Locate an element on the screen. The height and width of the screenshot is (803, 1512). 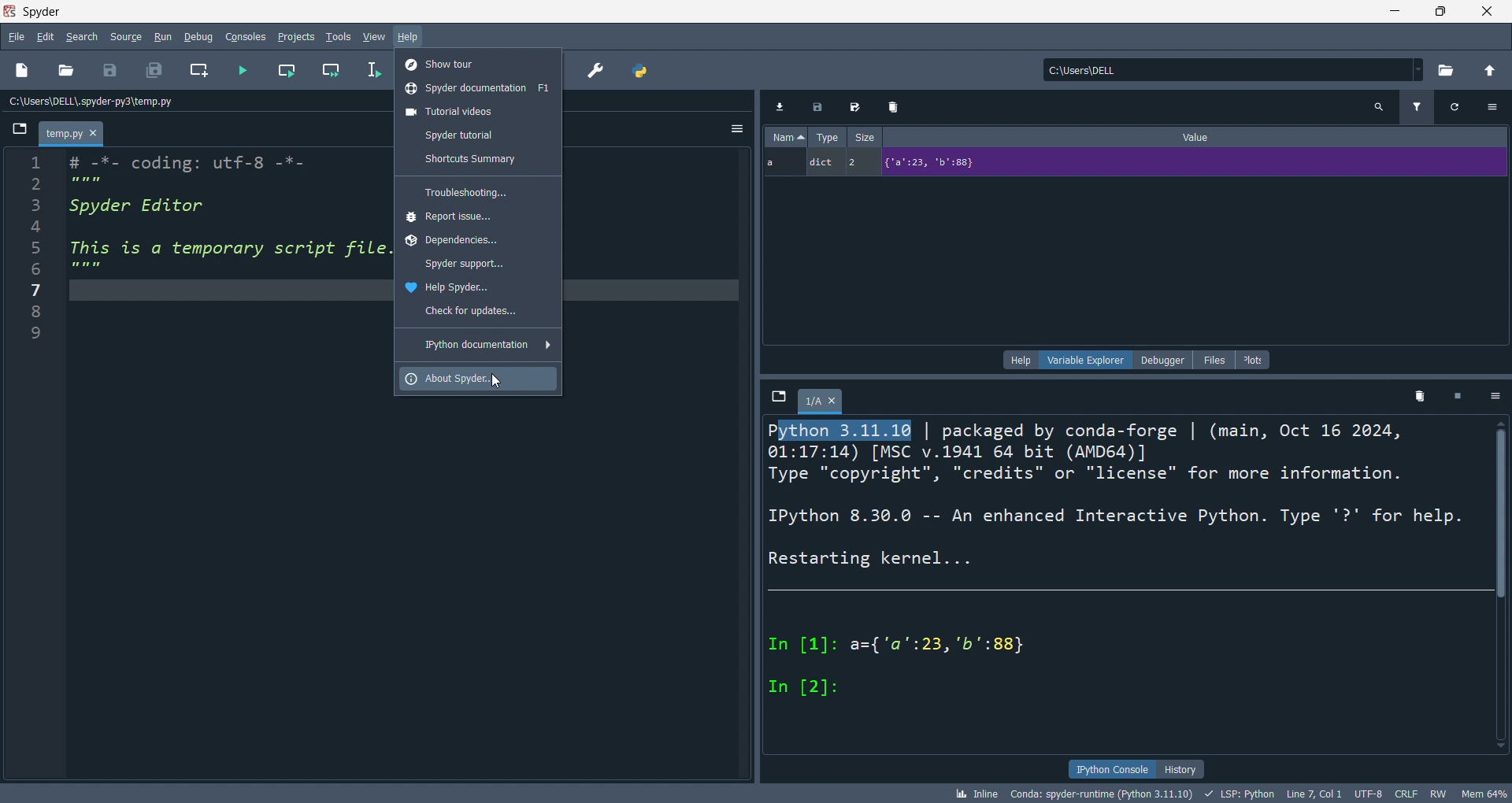
updates check is located at coordinates (479, 312).